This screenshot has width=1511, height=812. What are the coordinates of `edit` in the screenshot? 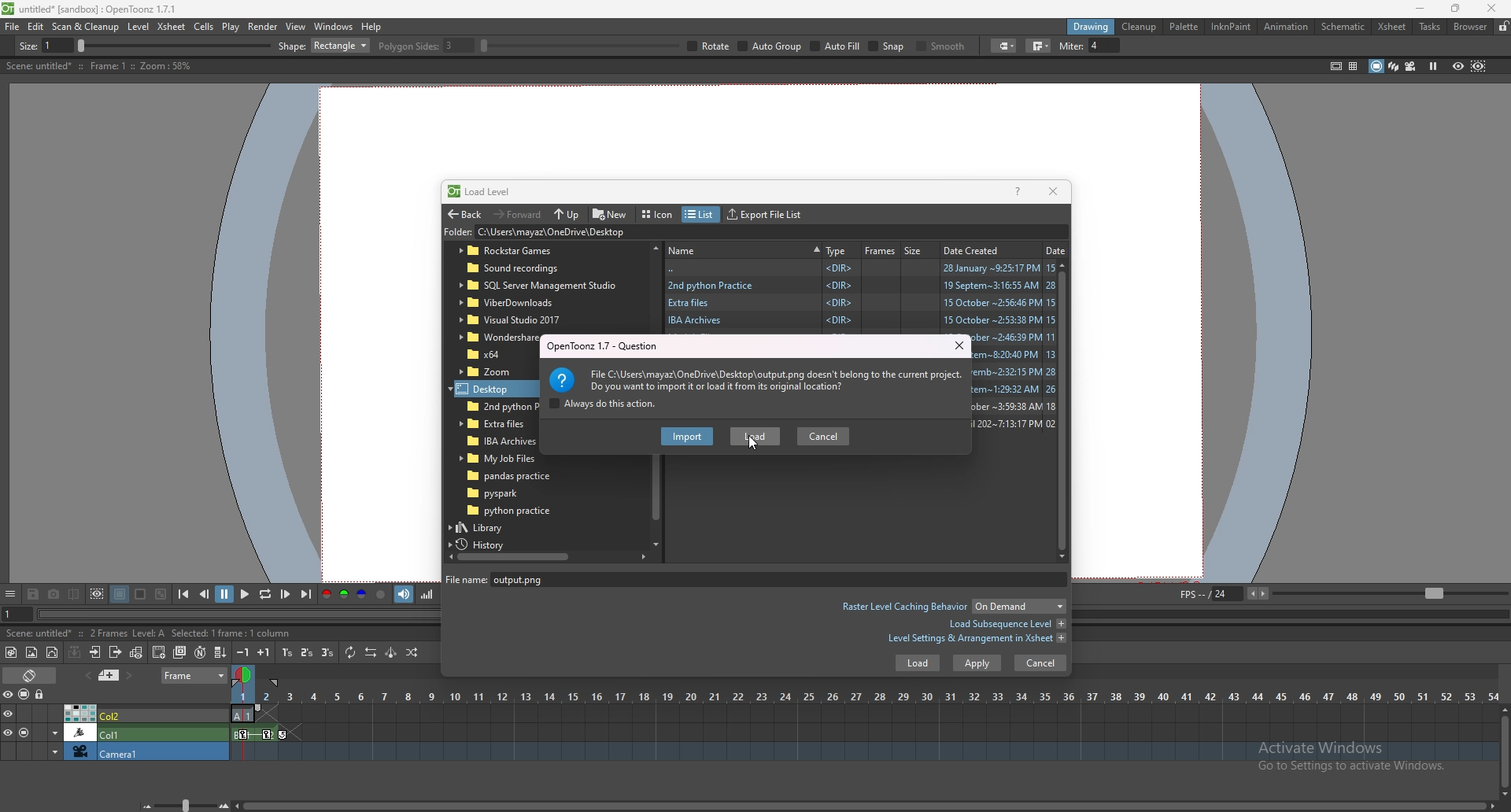 It's located at (36, 26).